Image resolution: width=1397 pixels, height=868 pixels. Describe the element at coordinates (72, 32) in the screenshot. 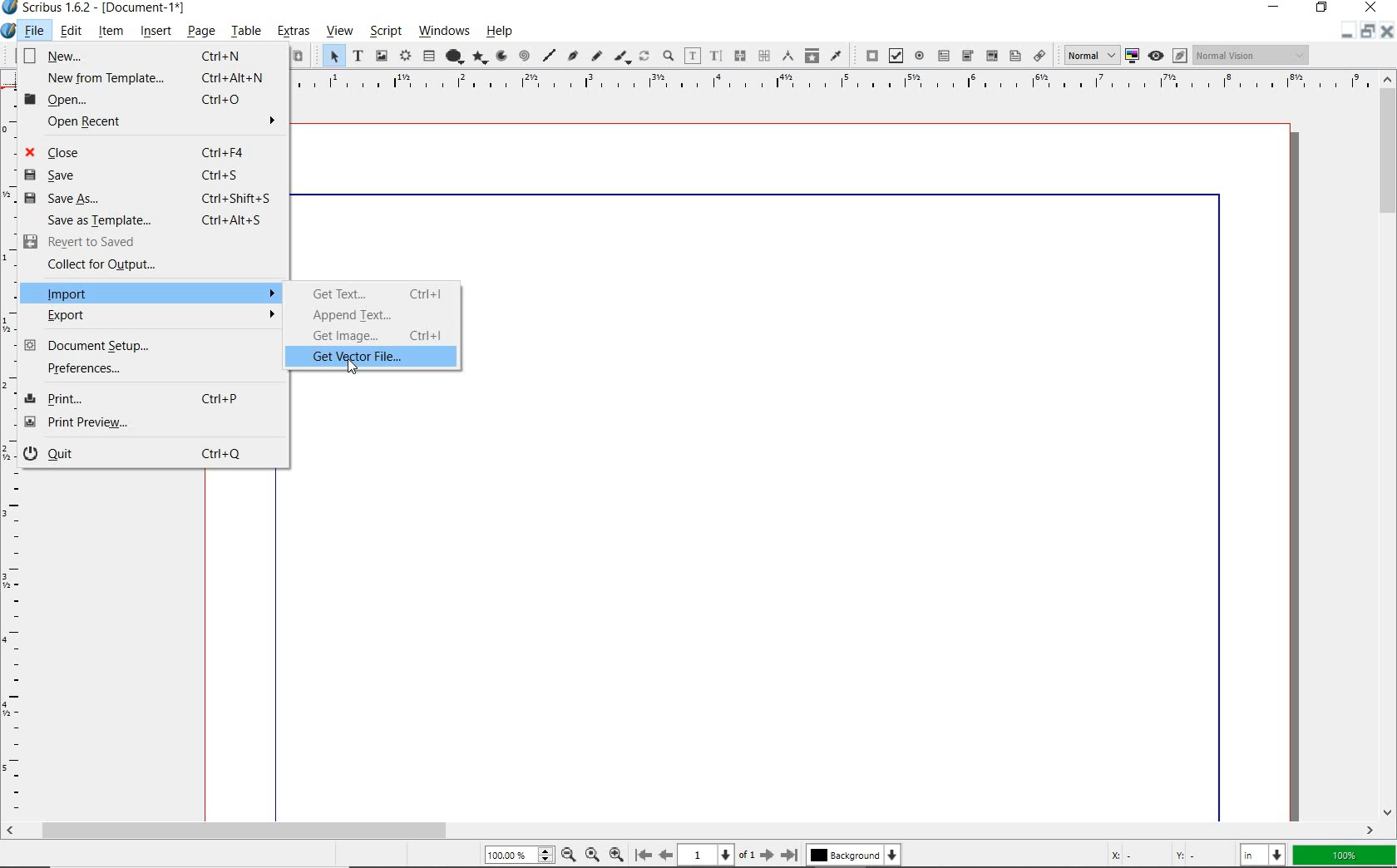

I see `edit` at that location.